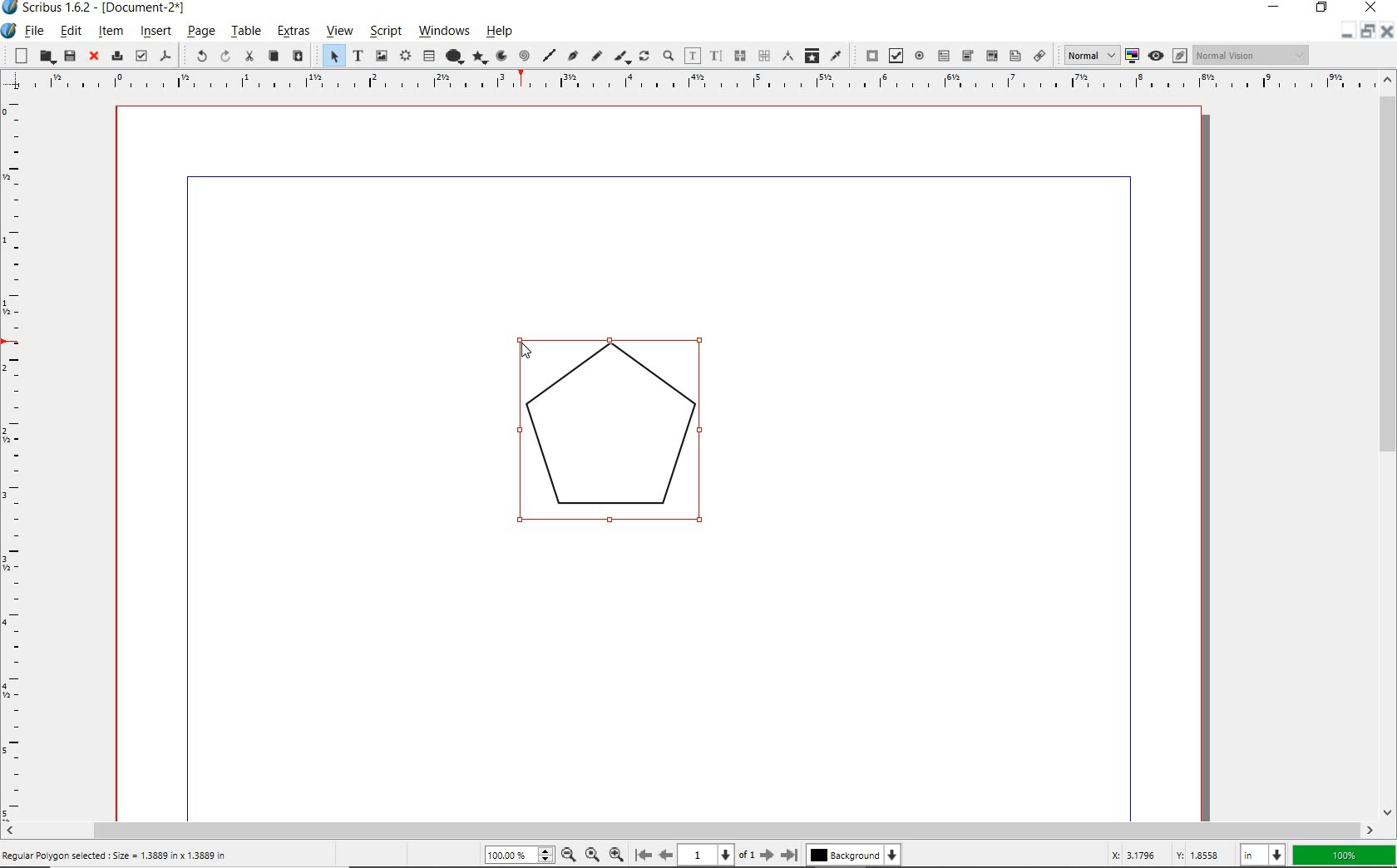 This screenshot has width=1397, height=868. What do you see at coordinates (623, 439) in the screenshot?
I see `5 SIDE POLYGON DRAWN` at bounding box center [623, 439].